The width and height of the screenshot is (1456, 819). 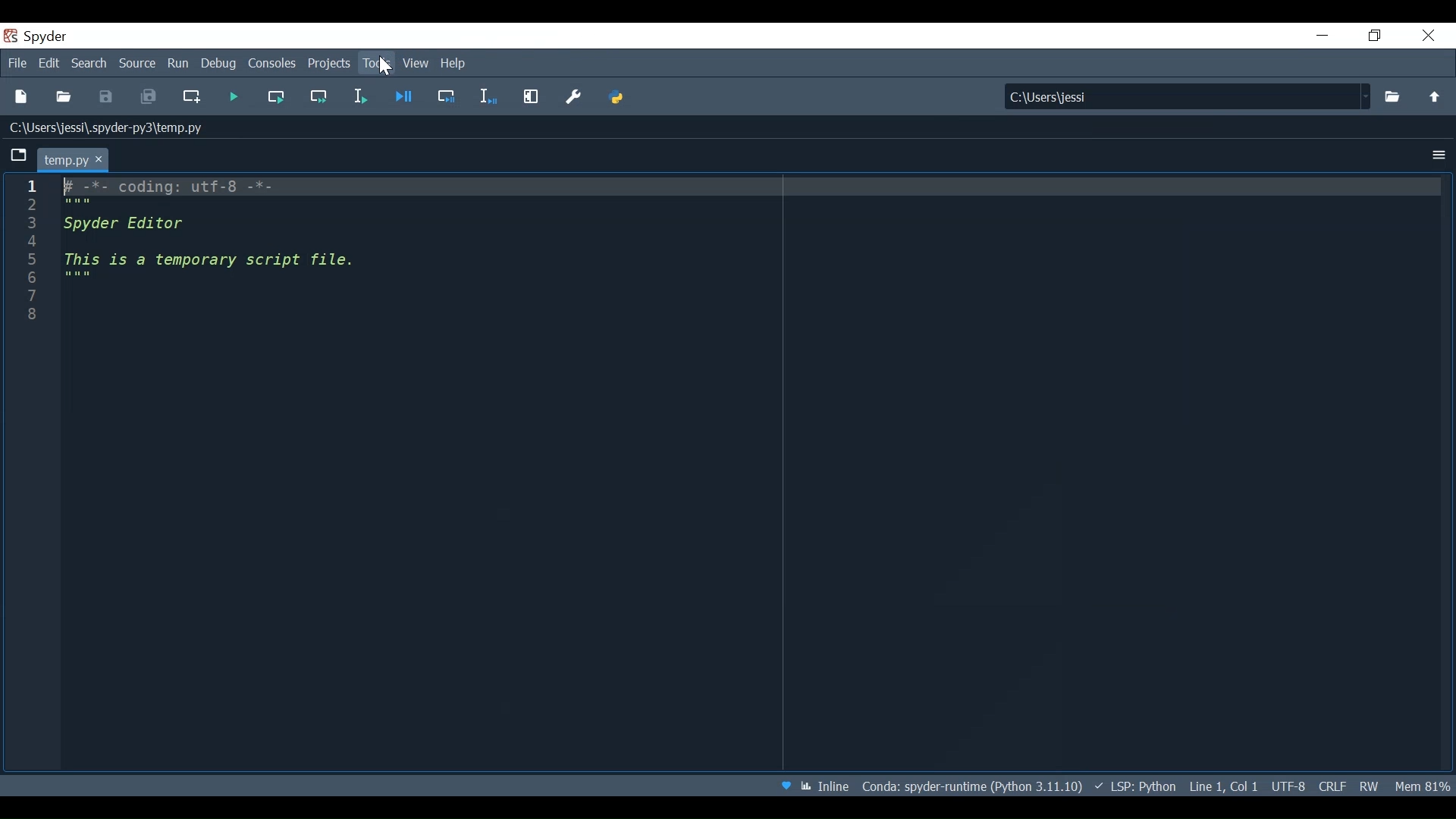 I want to click on Move up, so click(x=1432, y=96).